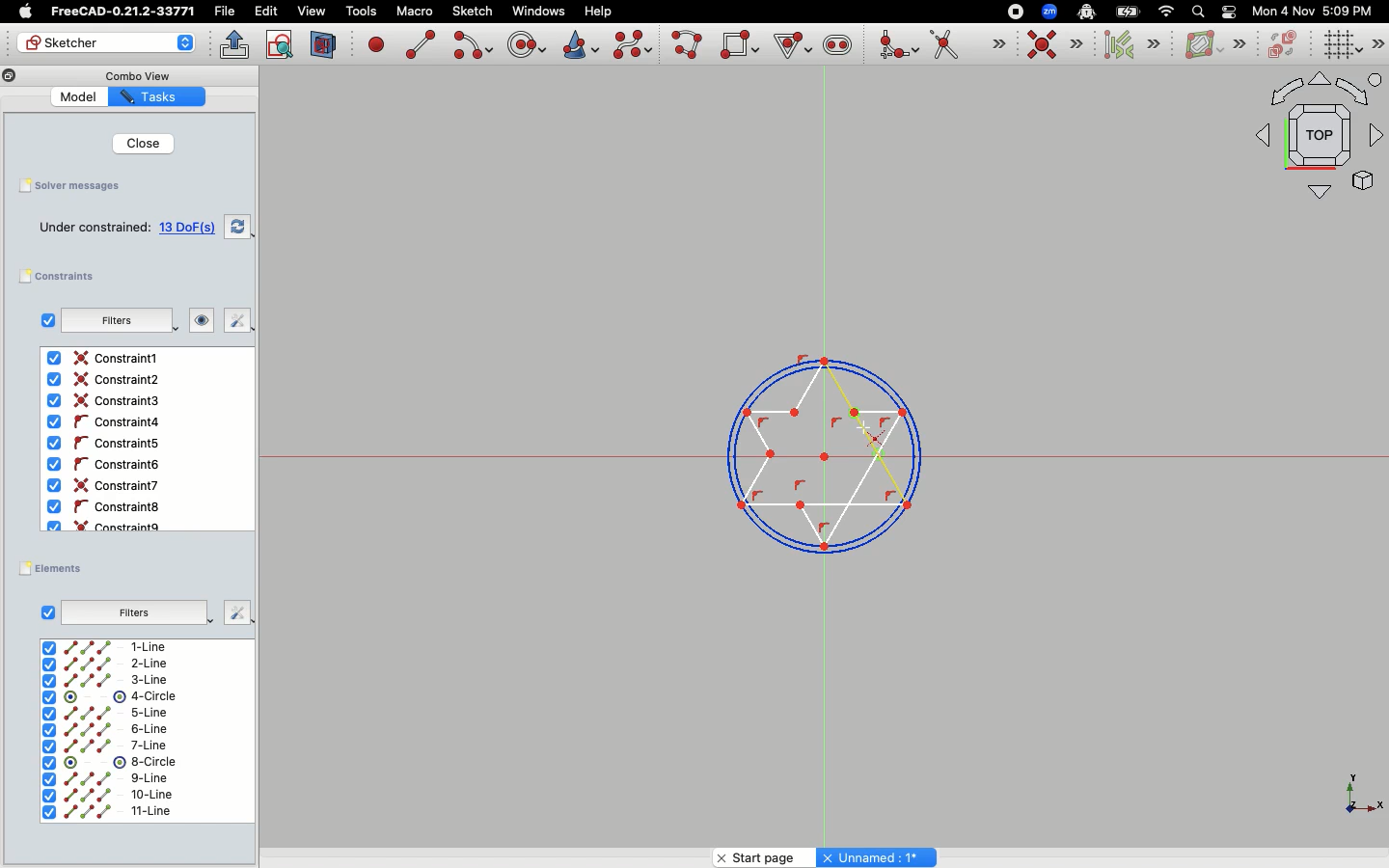 This screenshot has height=868, width=1389. I want to click on Create arc, so click(472, 45).